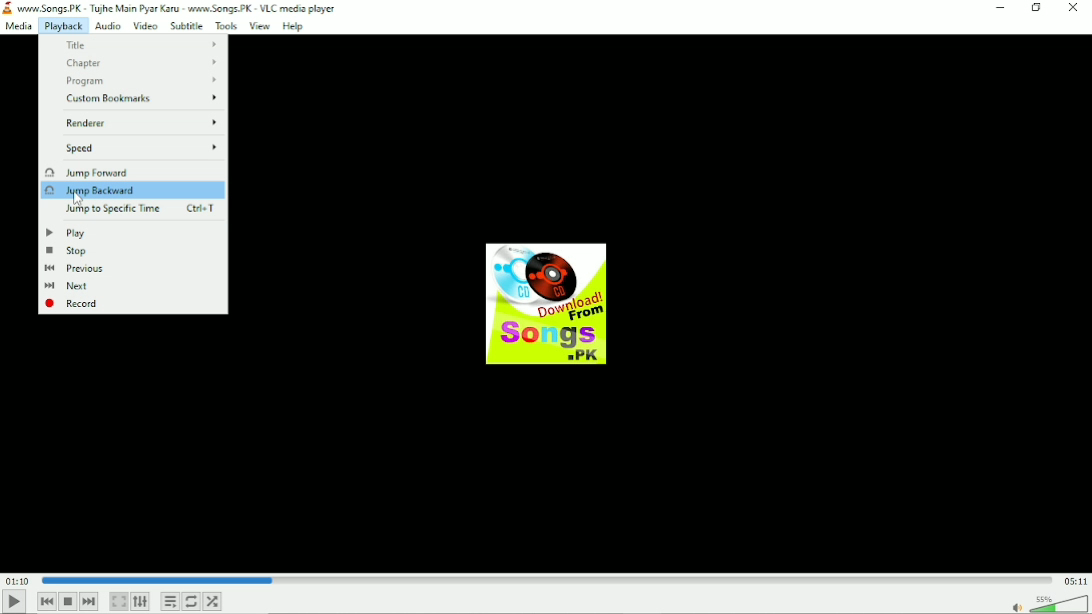  I want to click on Restore down, so click(1037, 8).